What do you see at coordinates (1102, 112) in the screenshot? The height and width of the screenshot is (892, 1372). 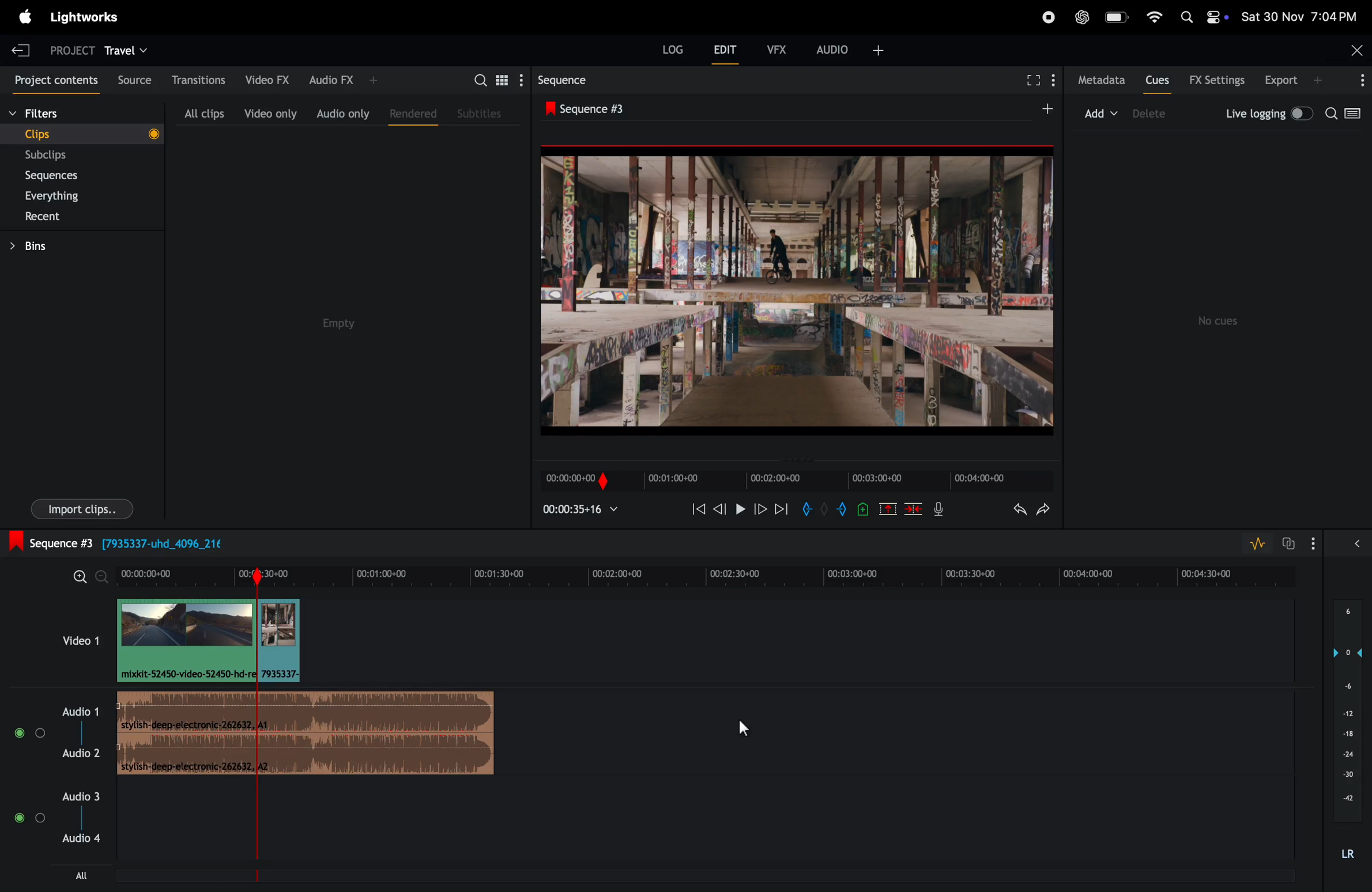 I see `add` at bounding box center [1102, 112].